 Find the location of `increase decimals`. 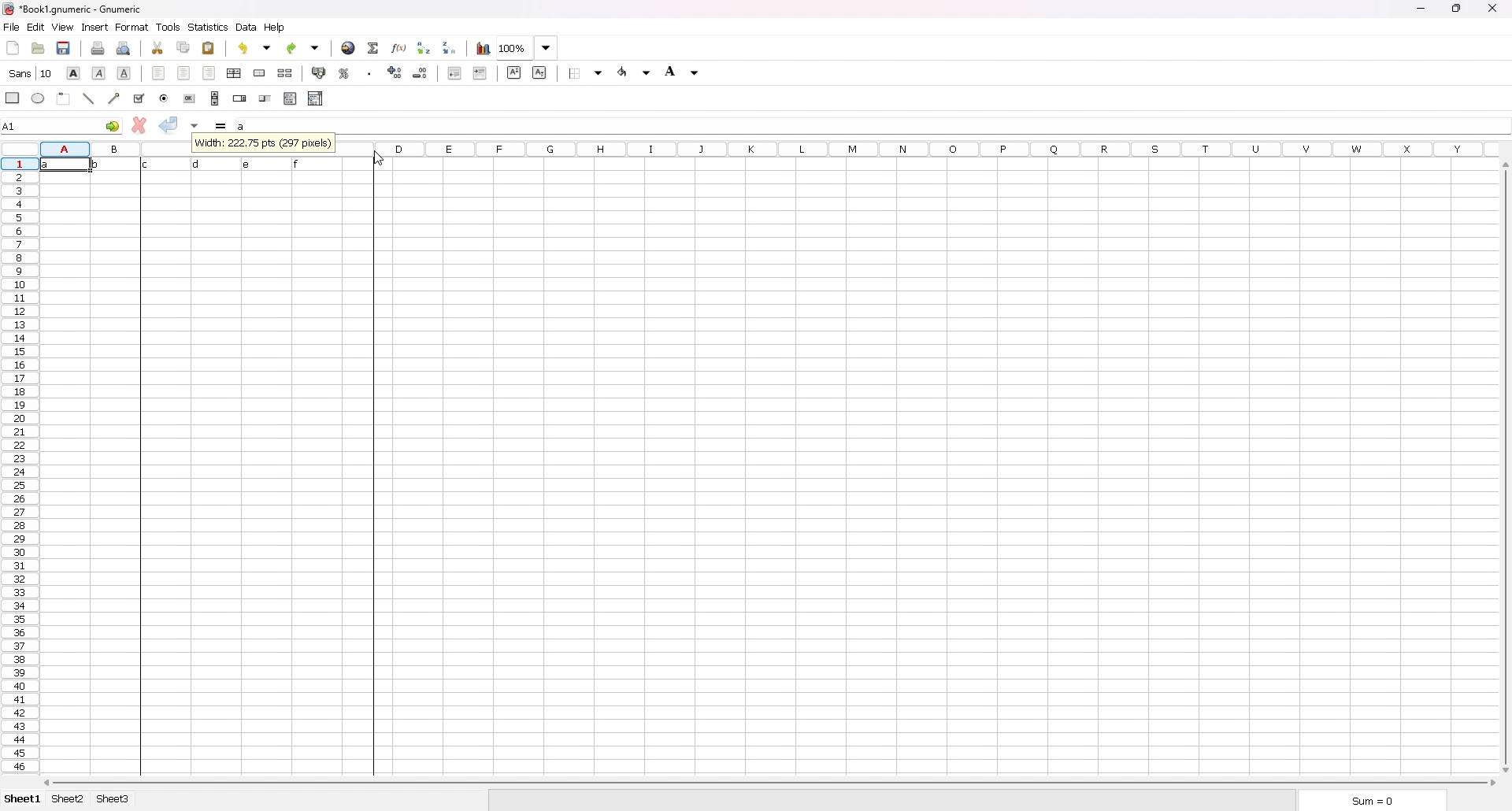

increase decimals is located at coordinates (396, 72).